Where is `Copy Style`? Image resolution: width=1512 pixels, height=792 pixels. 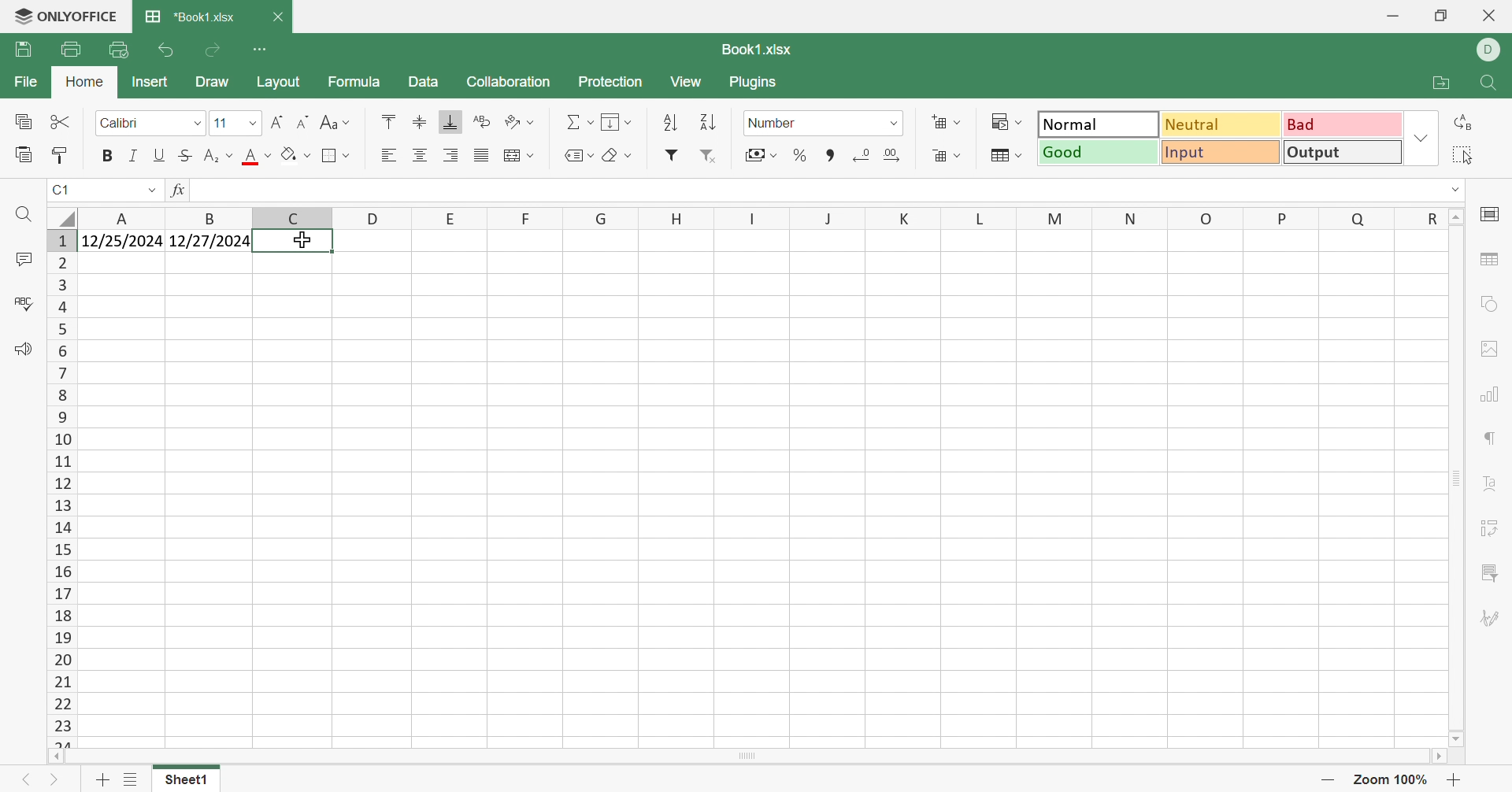 Copy Style is located at coordinates (63, 155).